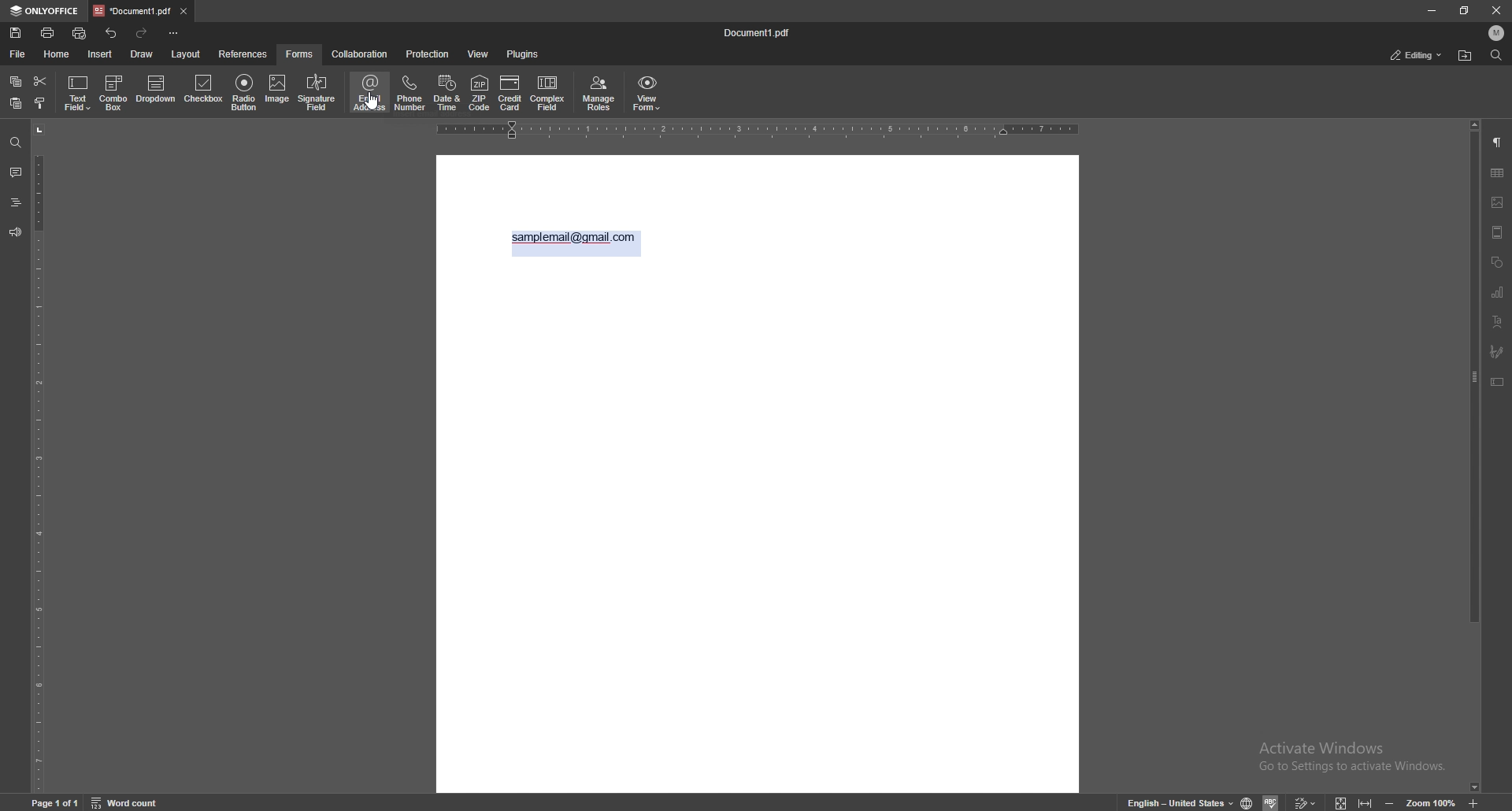 Image resolution: width=1512 pixels, height=811 pixels. I want to click on copy style, so click(39, 104).